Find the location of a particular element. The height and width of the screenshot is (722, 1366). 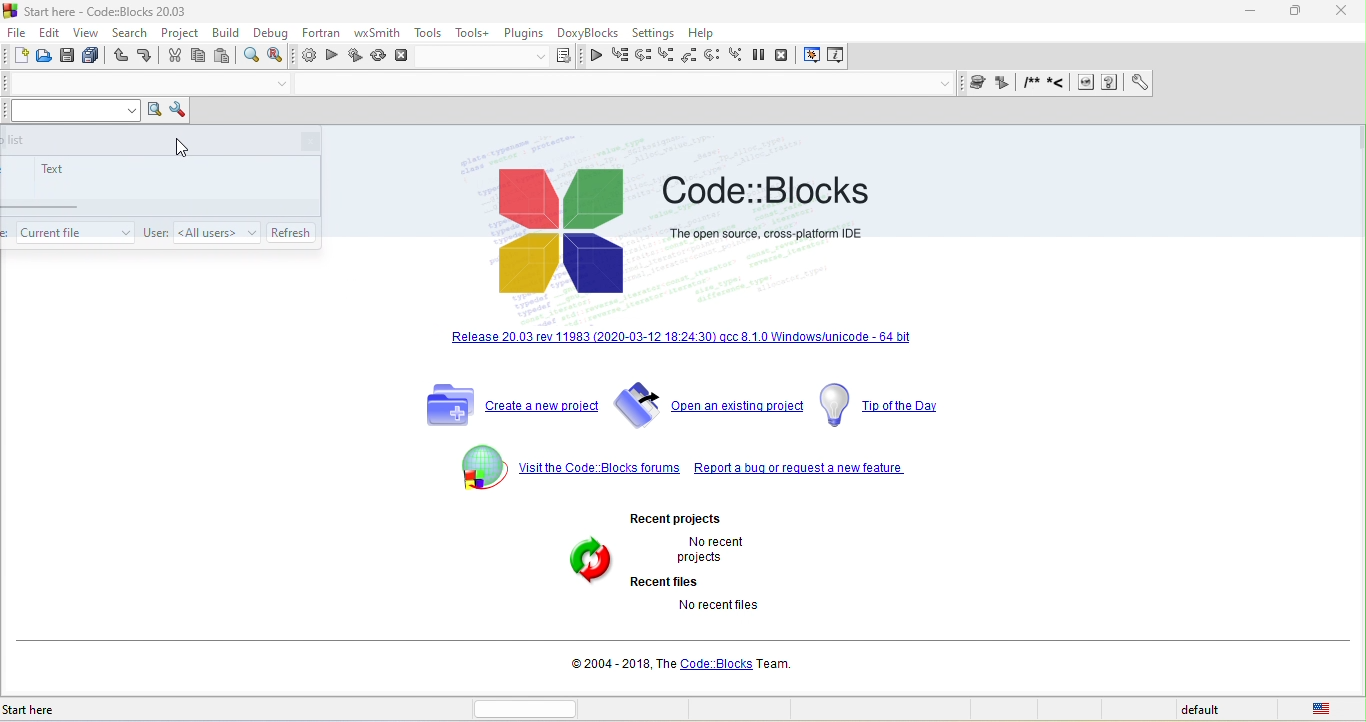

minimize is located at coordinates (1256, 11).